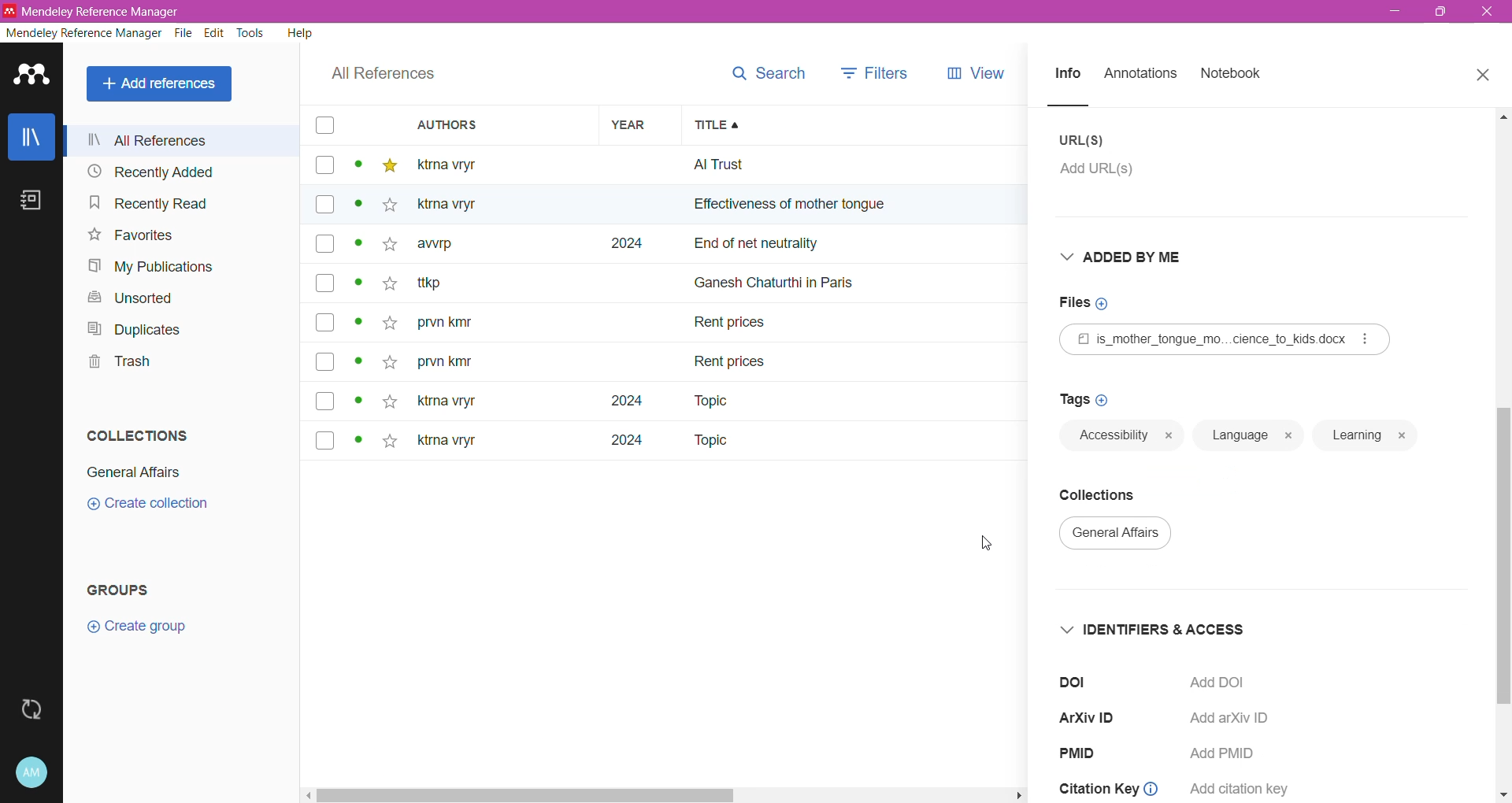  I want to click on filters , so click(875, 72).